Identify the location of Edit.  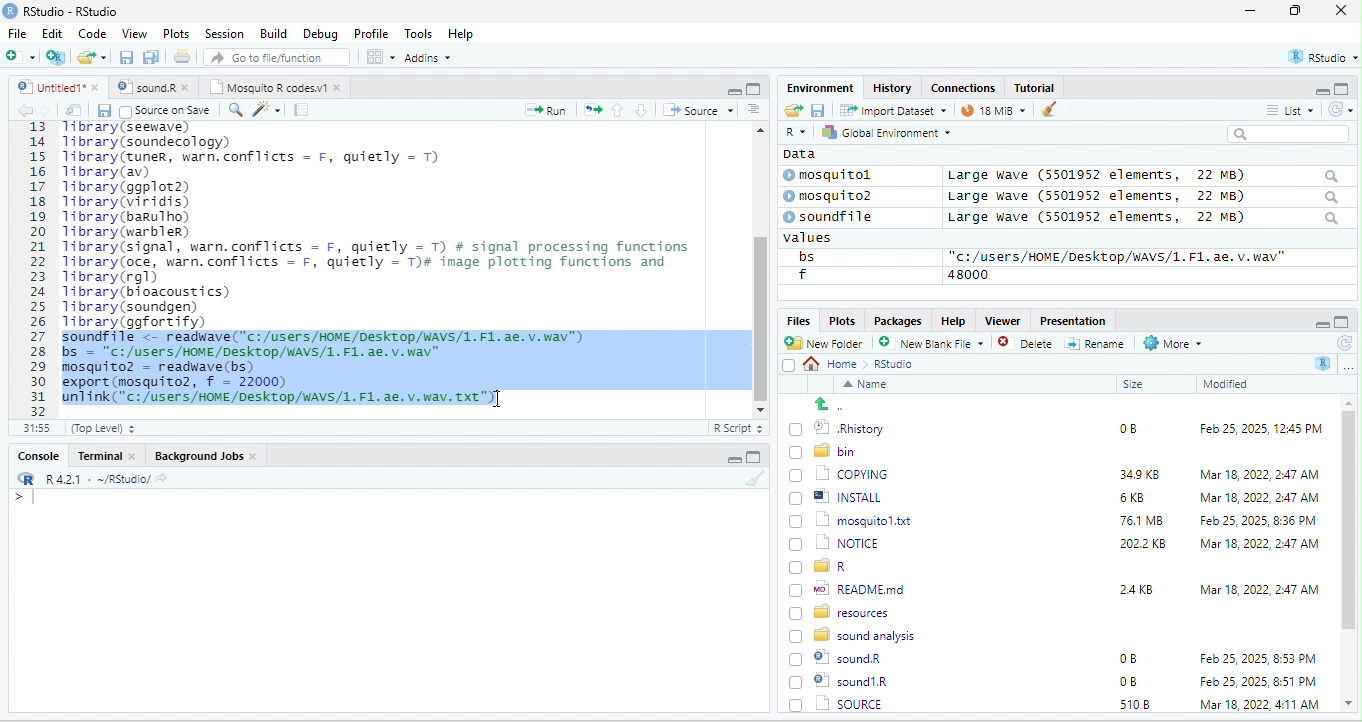
(54, 33).